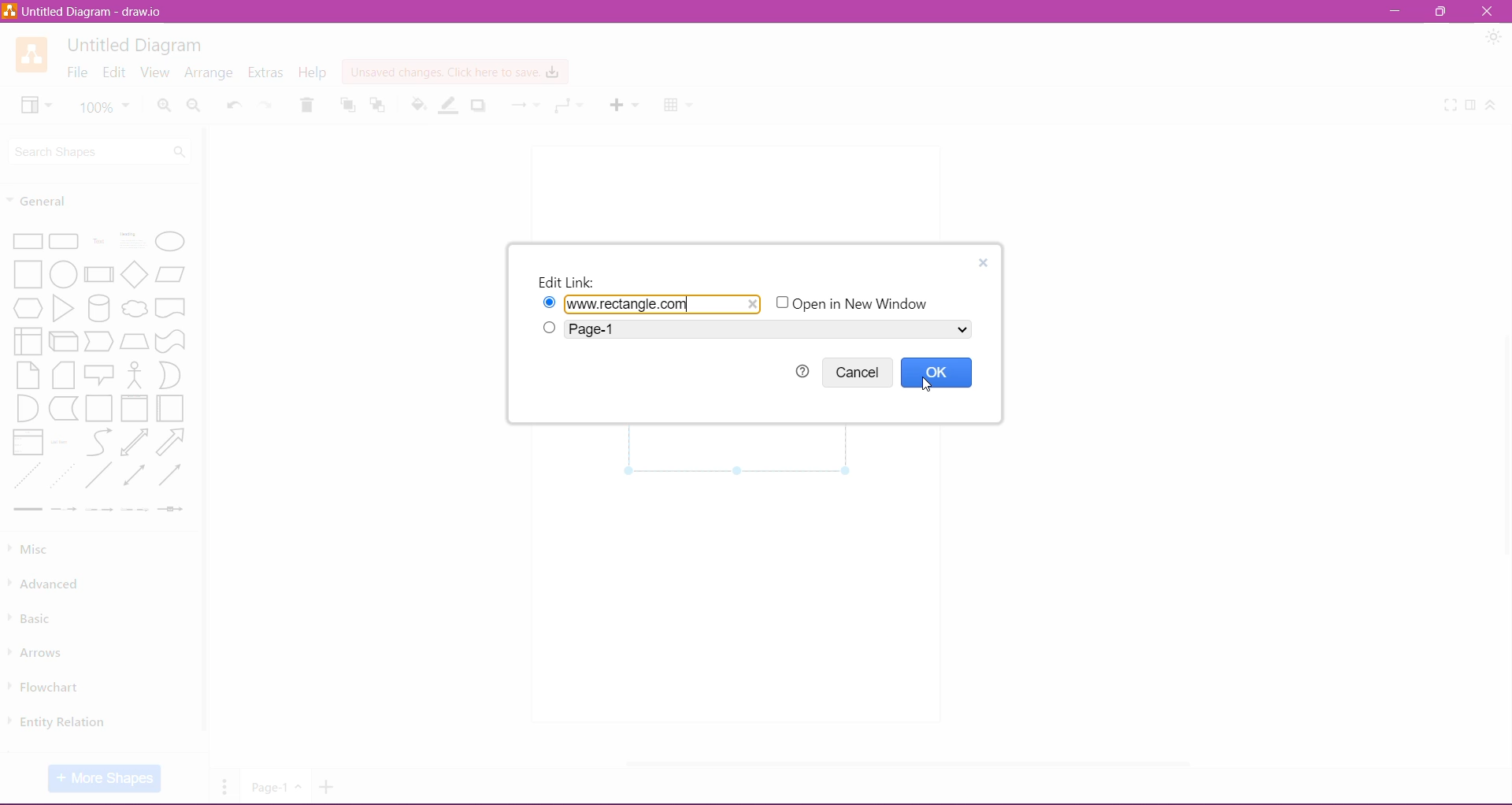  I want to click on Delete, so click(308, 105).